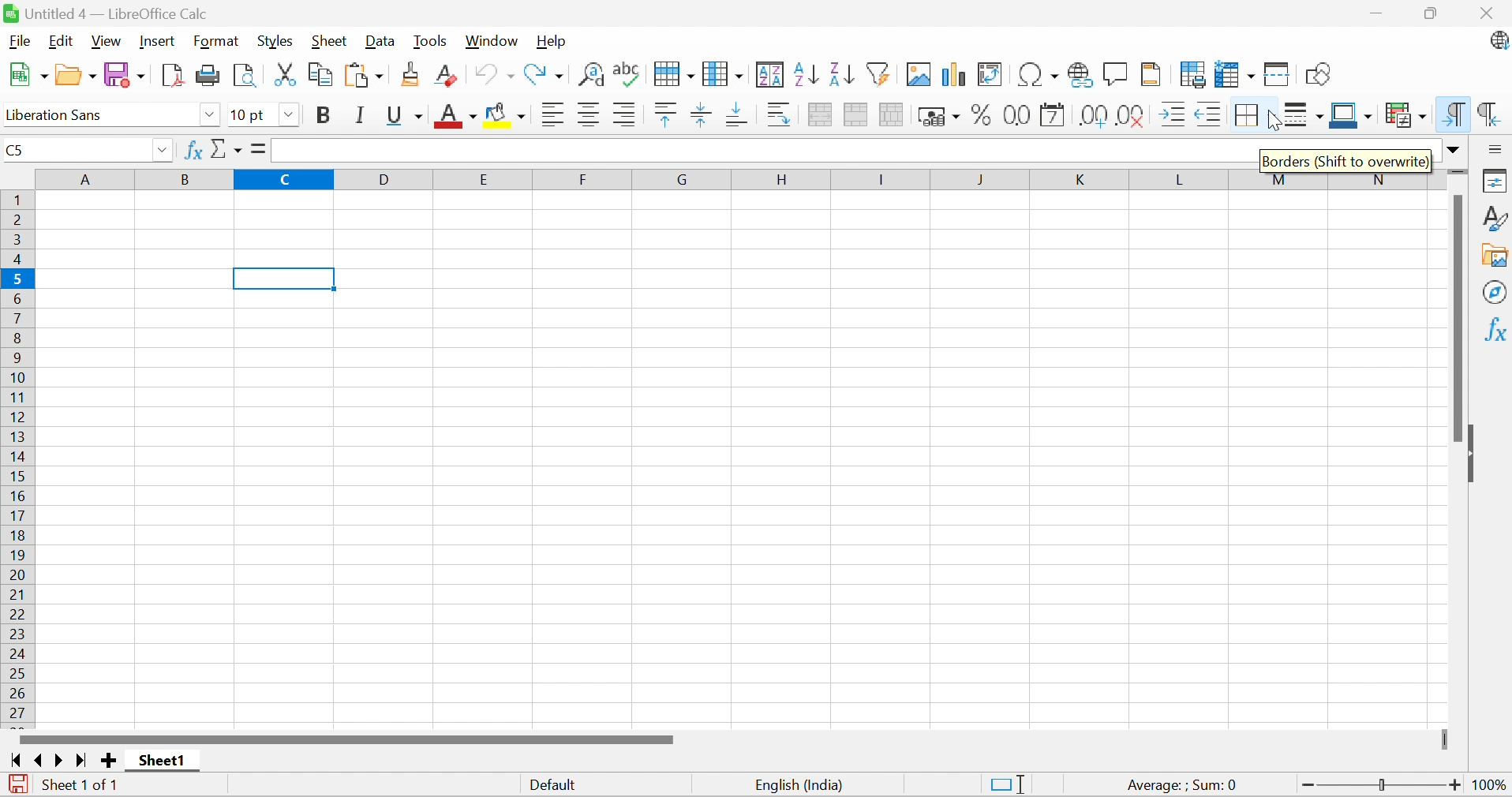 The image size is (1512, 797). Describe the element at coordinates (1183, 786) in the screenshot. I see `verage ; Sum:0` at that location.